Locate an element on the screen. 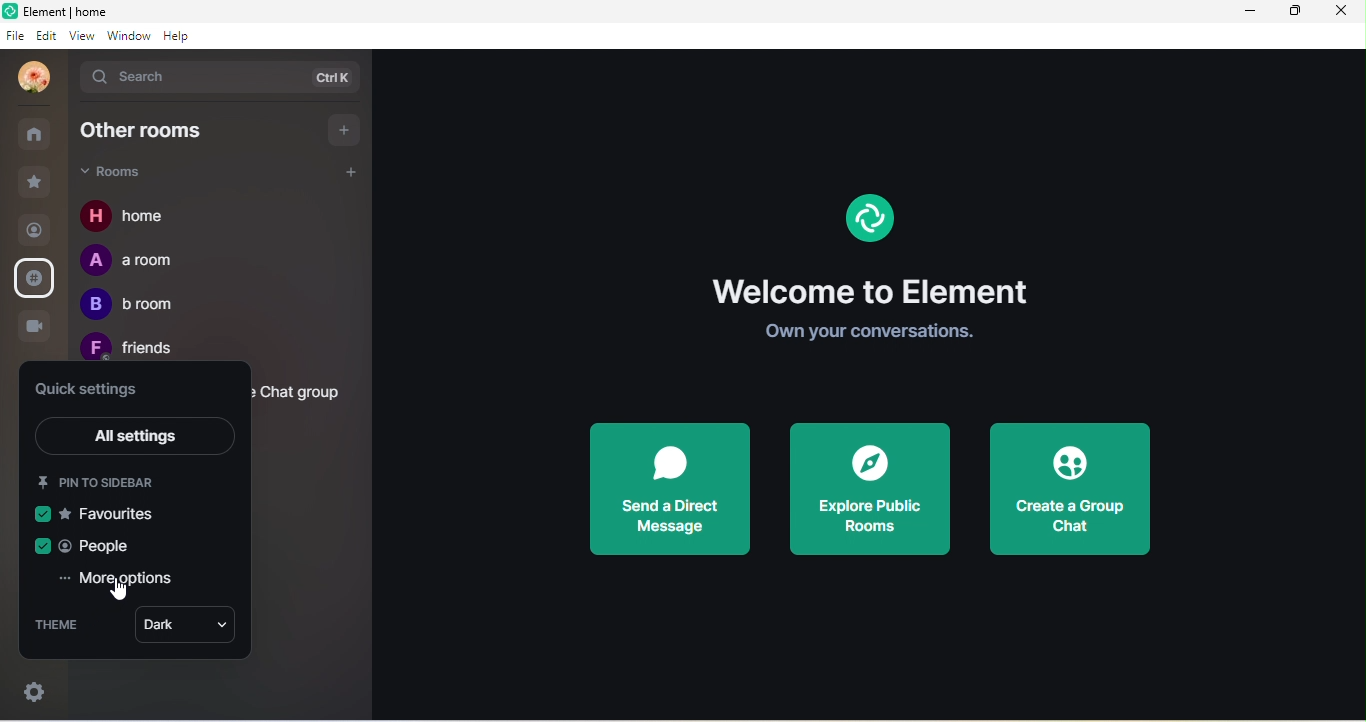  add is located at coordinates (351, 170).